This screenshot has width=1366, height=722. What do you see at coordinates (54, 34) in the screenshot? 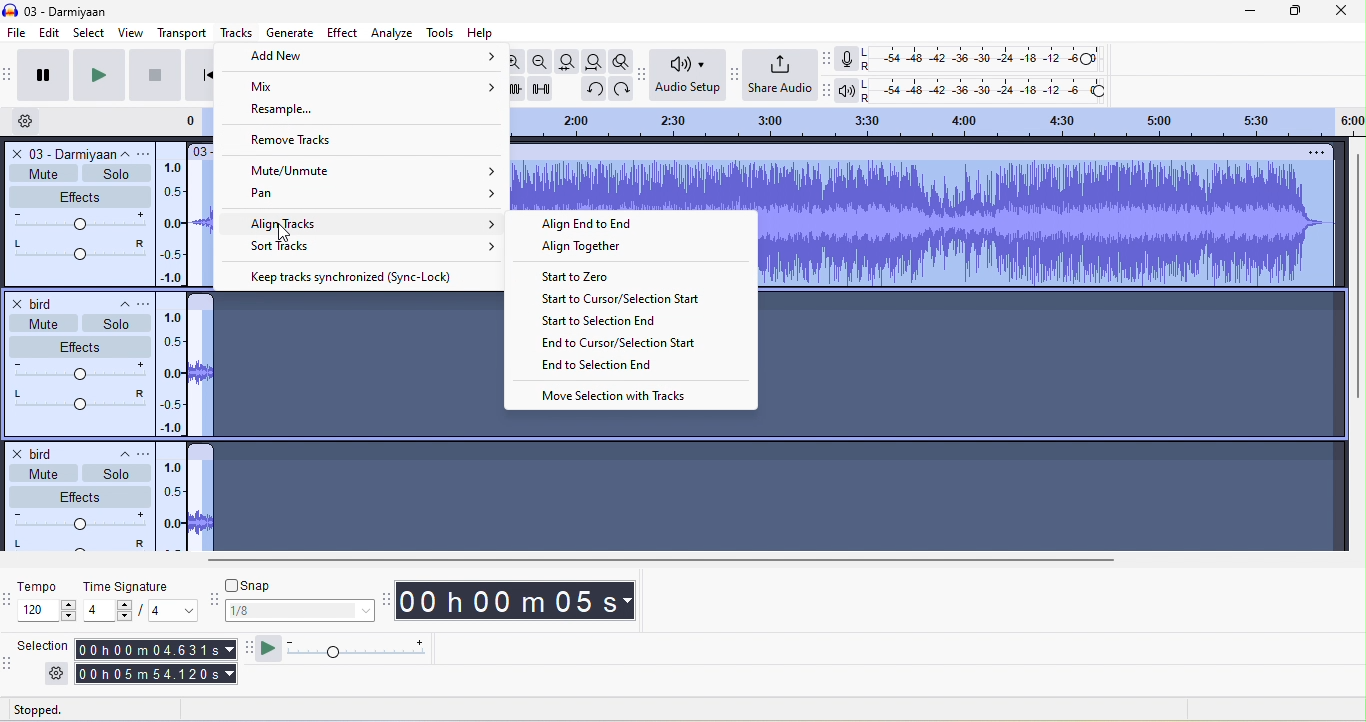
I see `edit` at bounding box center [54, 34].